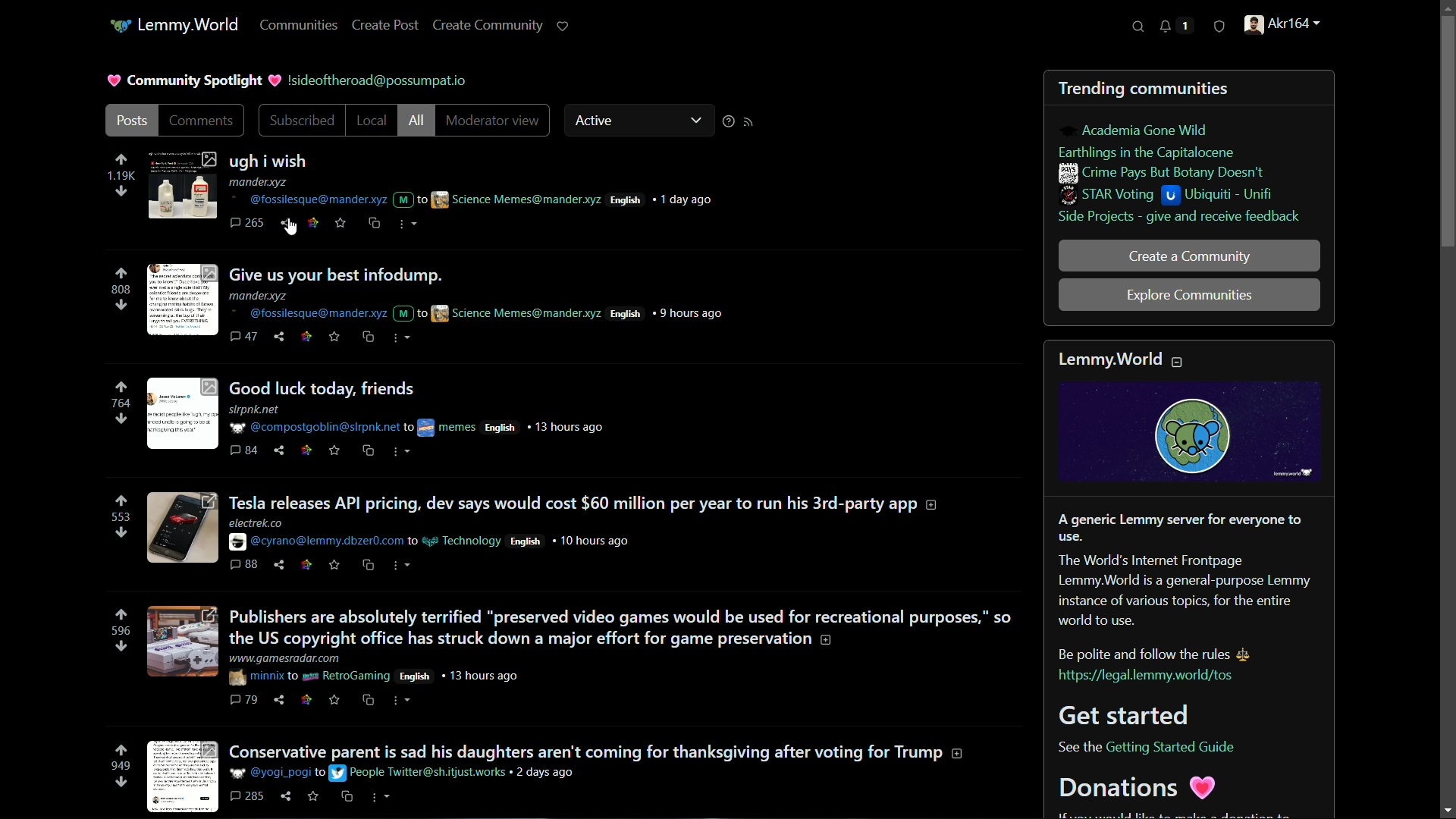 Image resolution: width=1456 pixels, height=819 pixels. Describe the element at coordinates (353, 275) in the screenshot. I see `give us your best infodump.` at that location.